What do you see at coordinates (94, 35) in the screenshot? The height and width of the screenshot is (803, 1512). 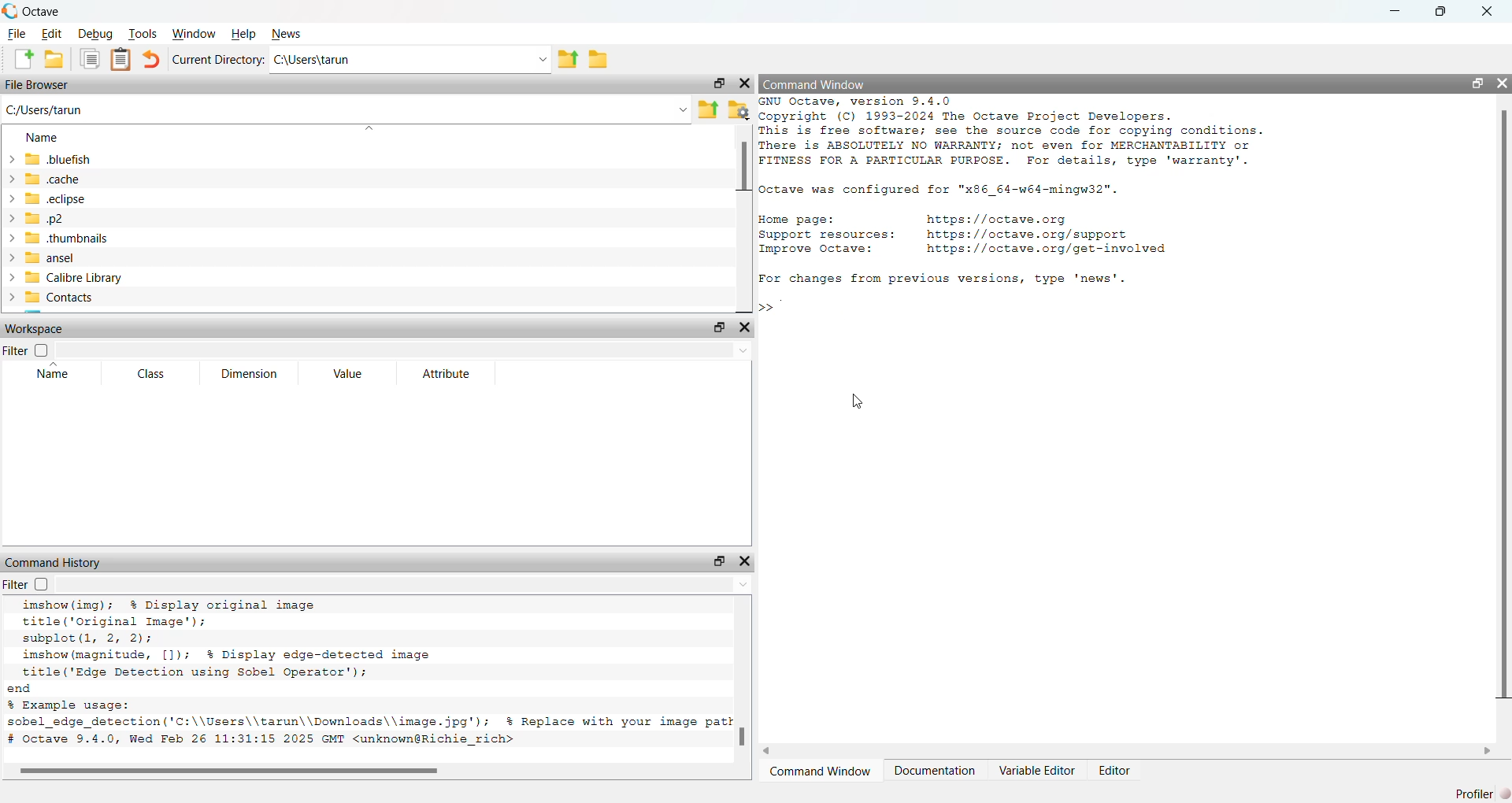 I see `Debug` at bounding box center [94, 35].